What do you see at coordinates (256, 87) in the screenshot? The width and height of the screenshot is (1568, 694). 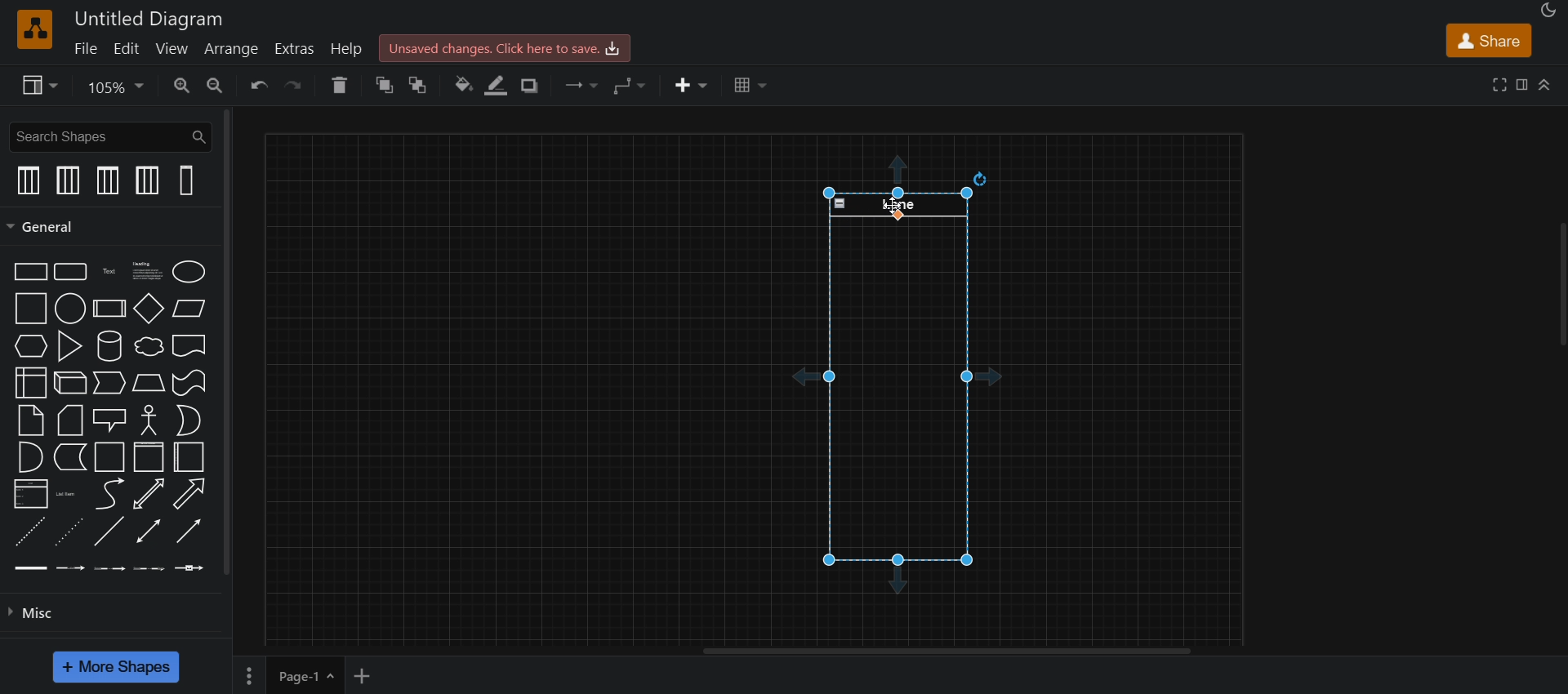 I see `undo` at bounding box center [256, 87].